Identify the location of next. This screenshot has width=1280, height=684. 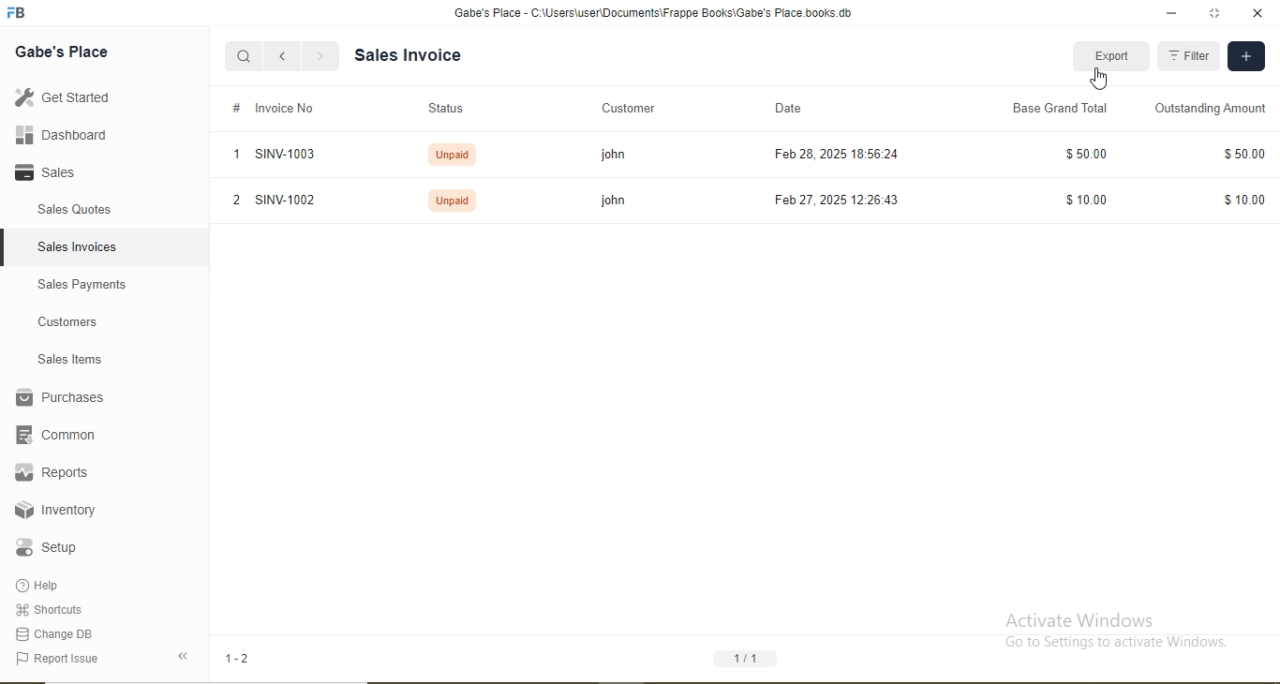
(320, 57).